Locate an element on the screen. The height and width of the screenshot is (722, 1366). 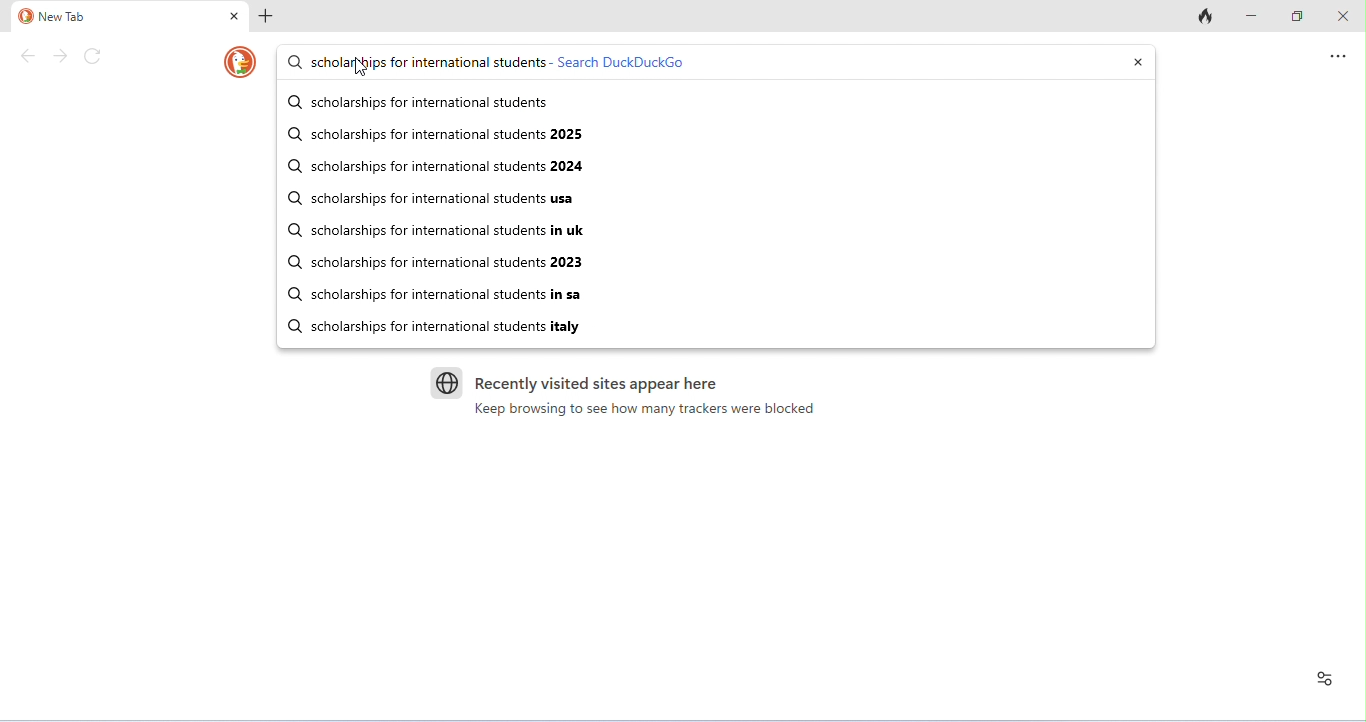
scholarships for international students- search at DuckDuckGo is located at coordinates (506, 63).